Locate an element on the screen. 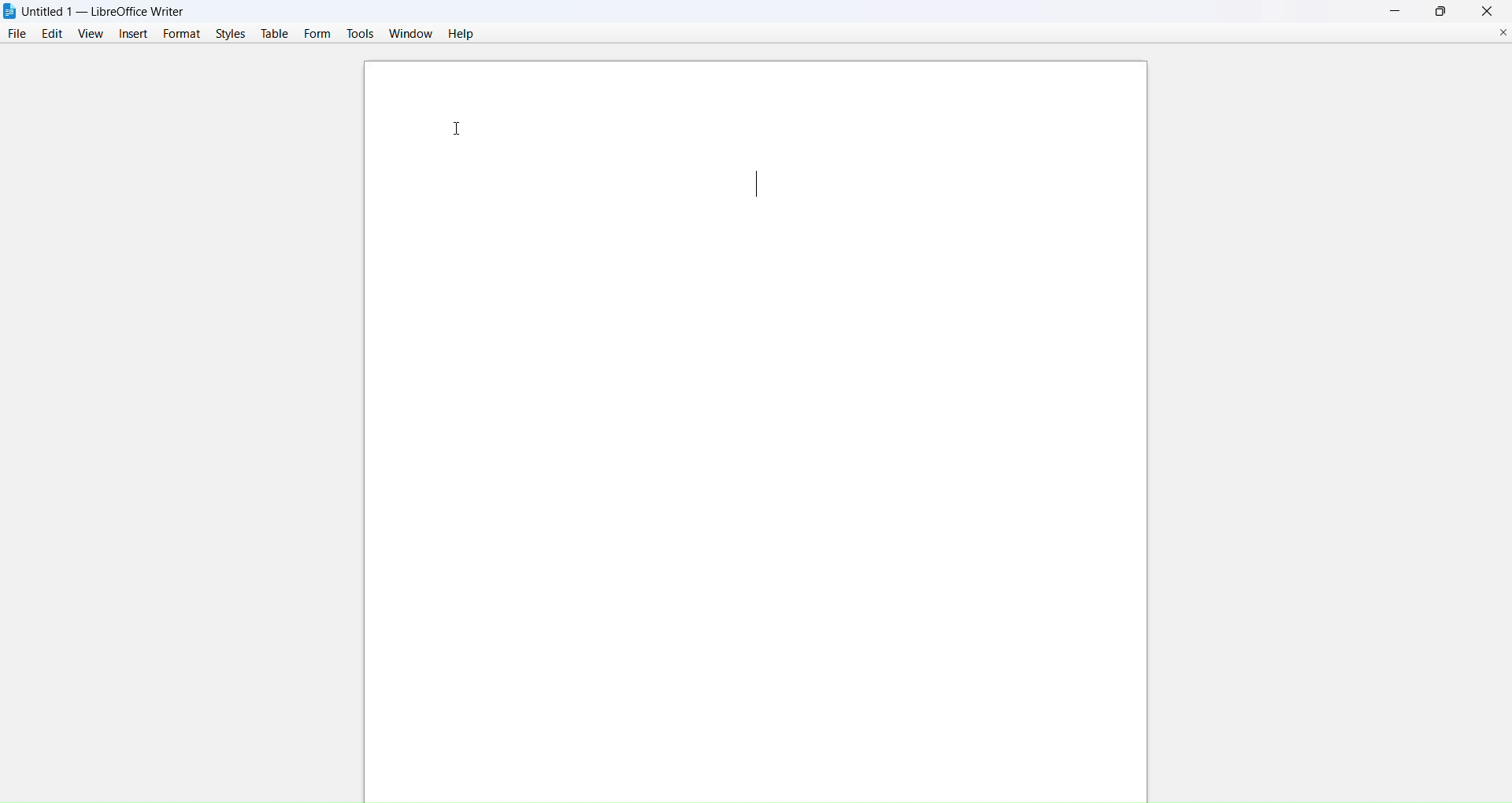 This screenshot has width=1512, height=803. close is located at coordinates (1488, 10).